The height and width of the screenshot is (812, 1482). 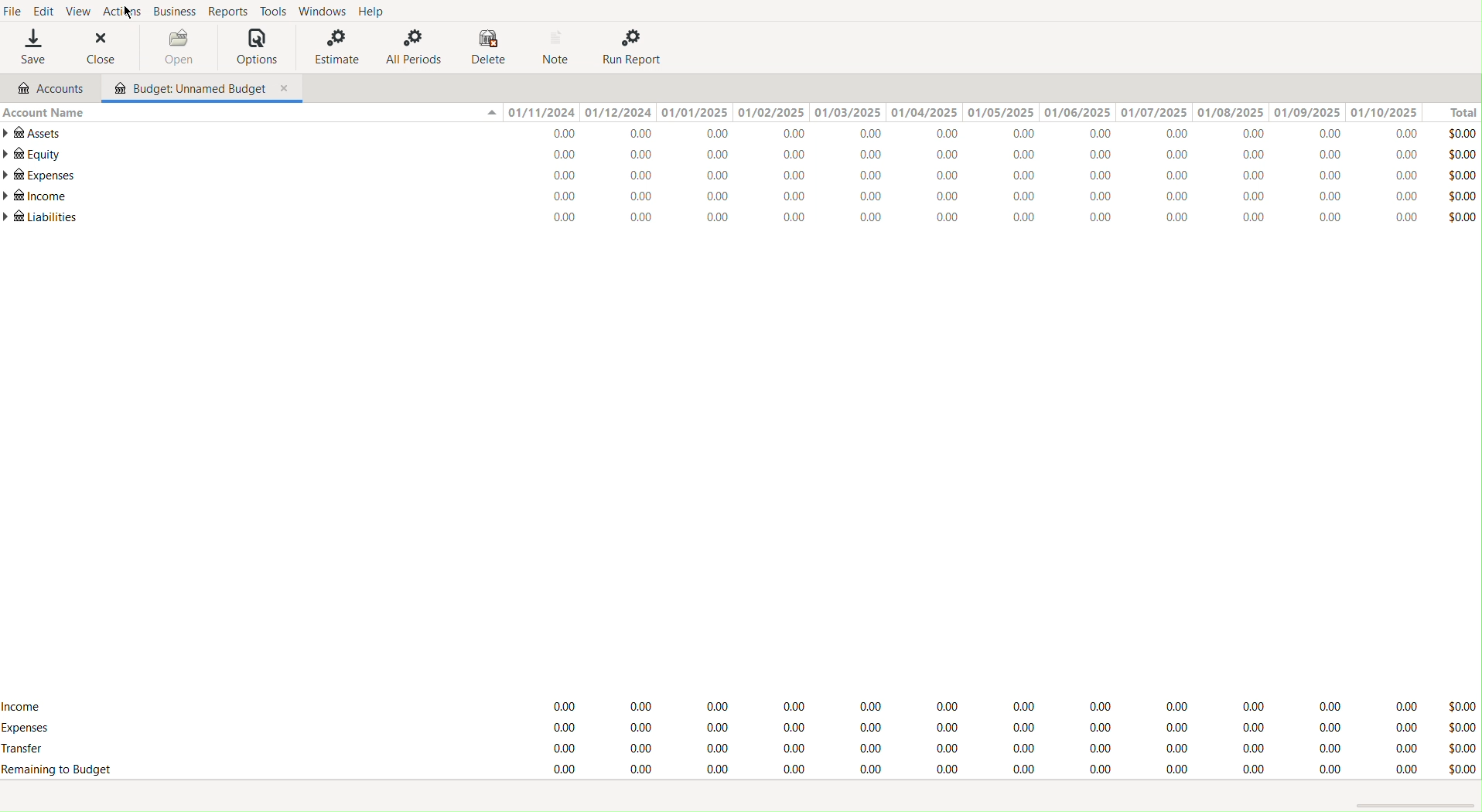 I want to click on Note, so click(x=559, y=47).